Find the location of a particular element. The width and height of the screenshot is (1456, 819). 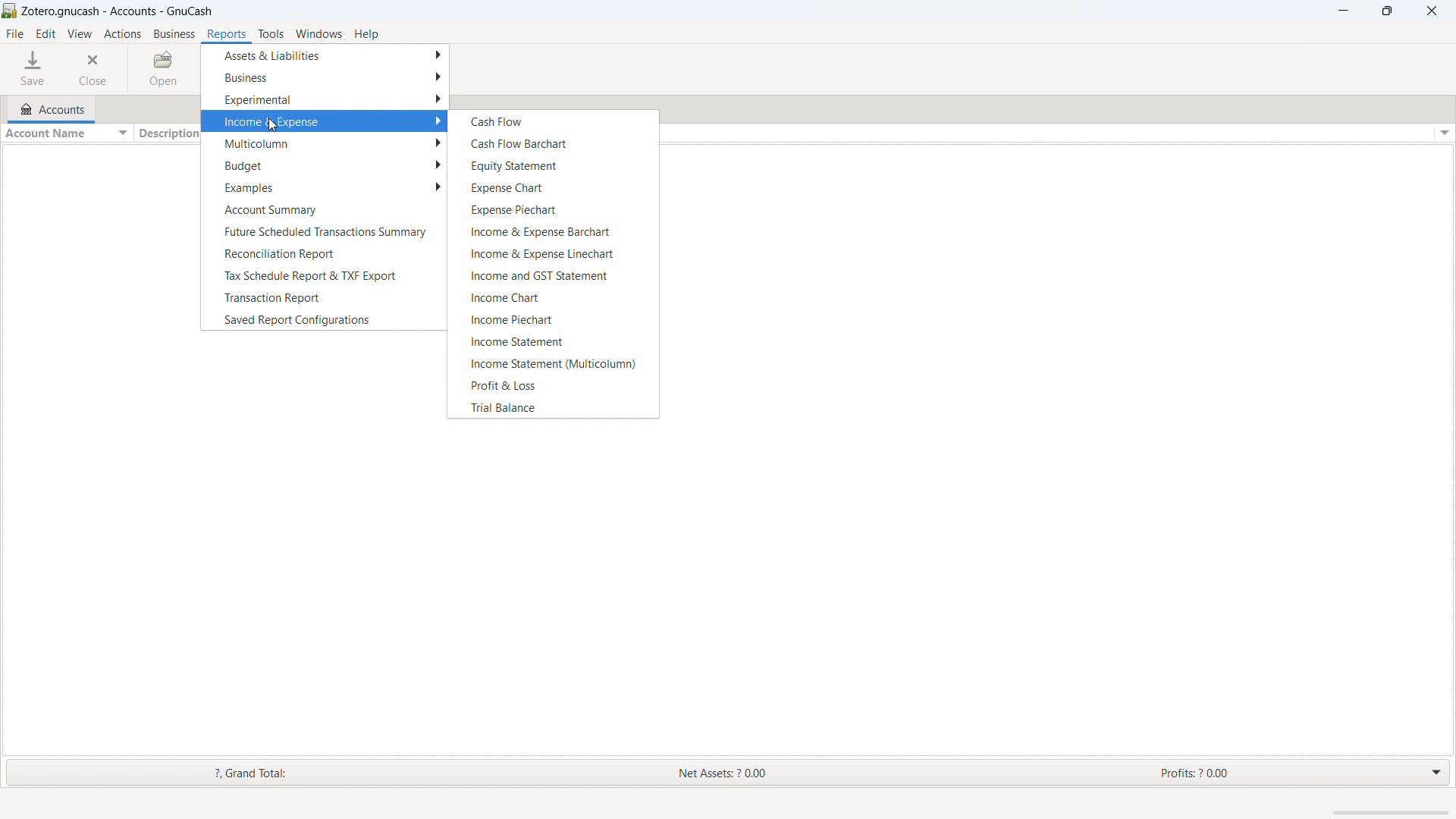

tools is located at coordinates (271, 34).